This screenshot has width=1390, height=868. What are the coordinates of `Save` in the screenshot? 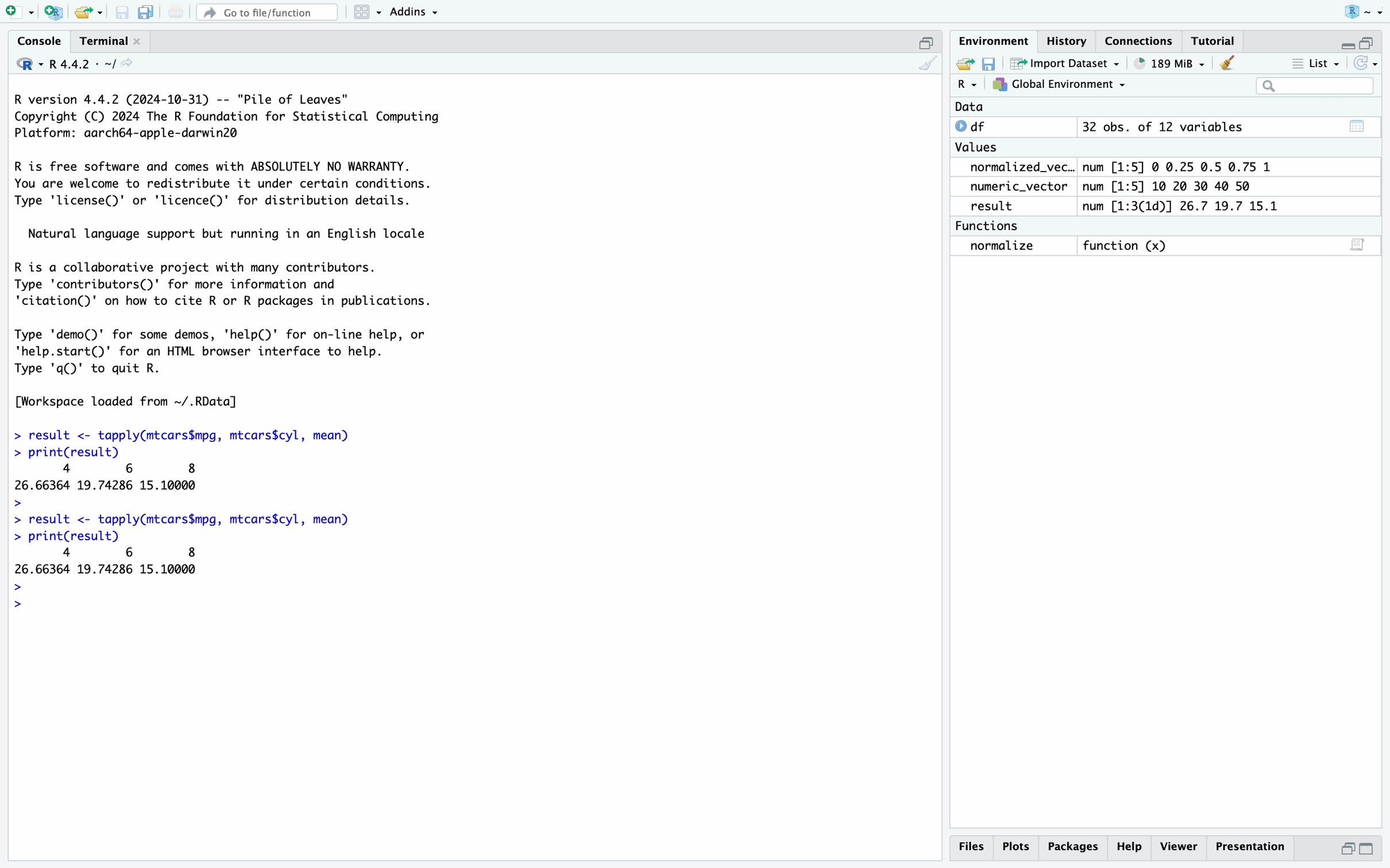 It's located at (989, 63).